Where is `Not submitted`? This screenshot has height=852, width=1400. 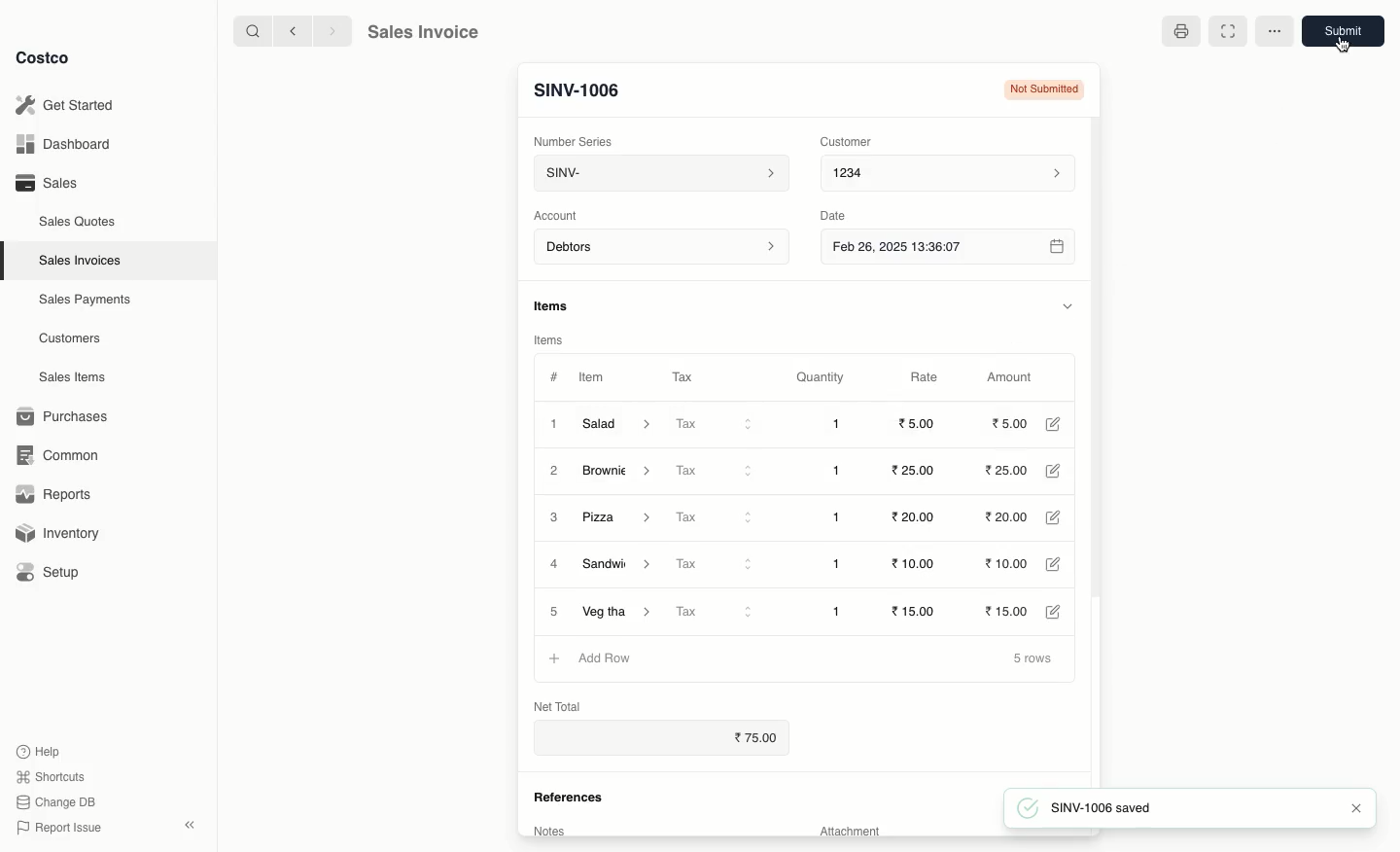 Not submitted is located at coordinates (1044, 90).